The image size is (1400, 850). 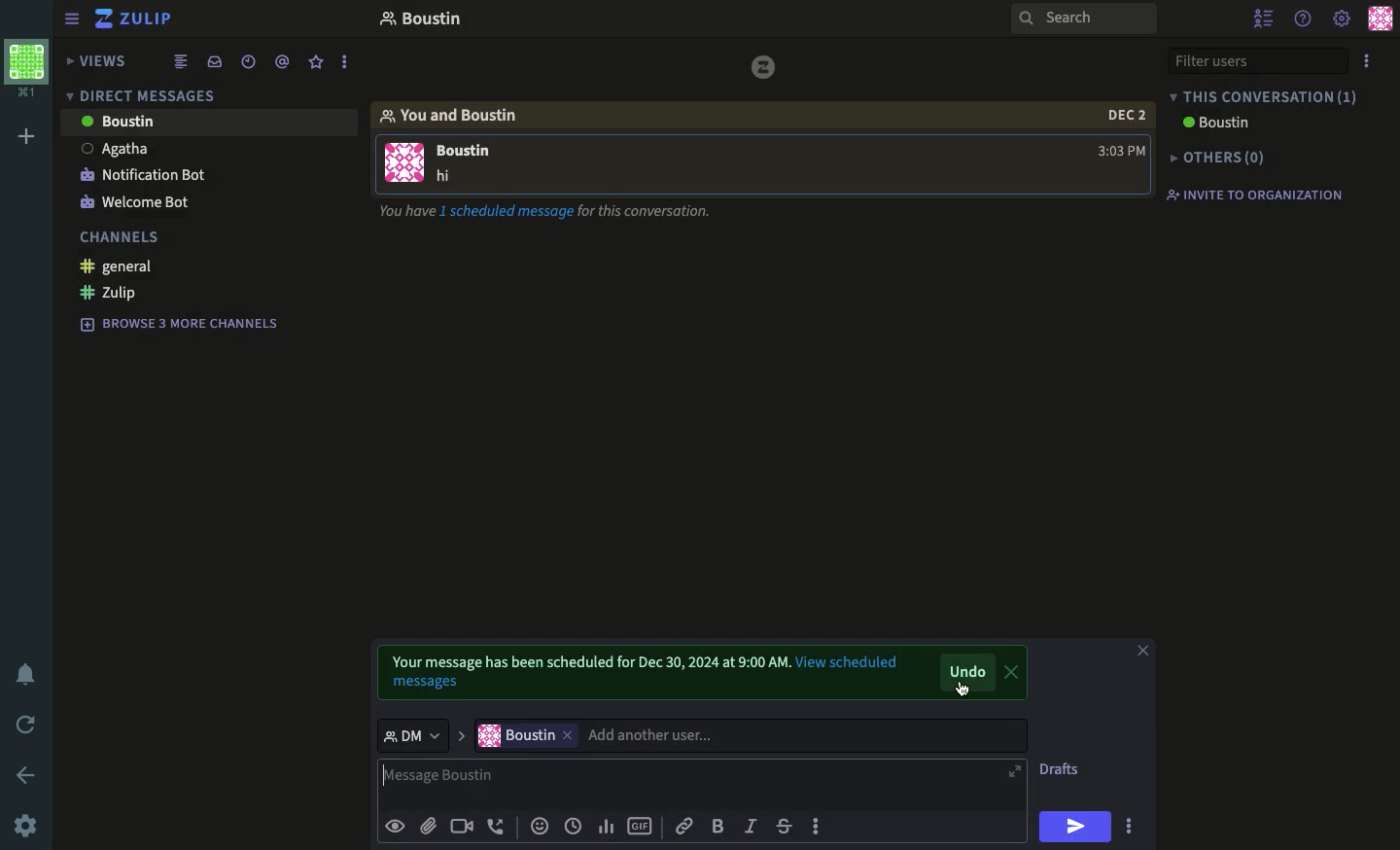 What do you see at coordinates (719, 826) in the screenshot?
I see `bold` at bounding box center [719, 826].